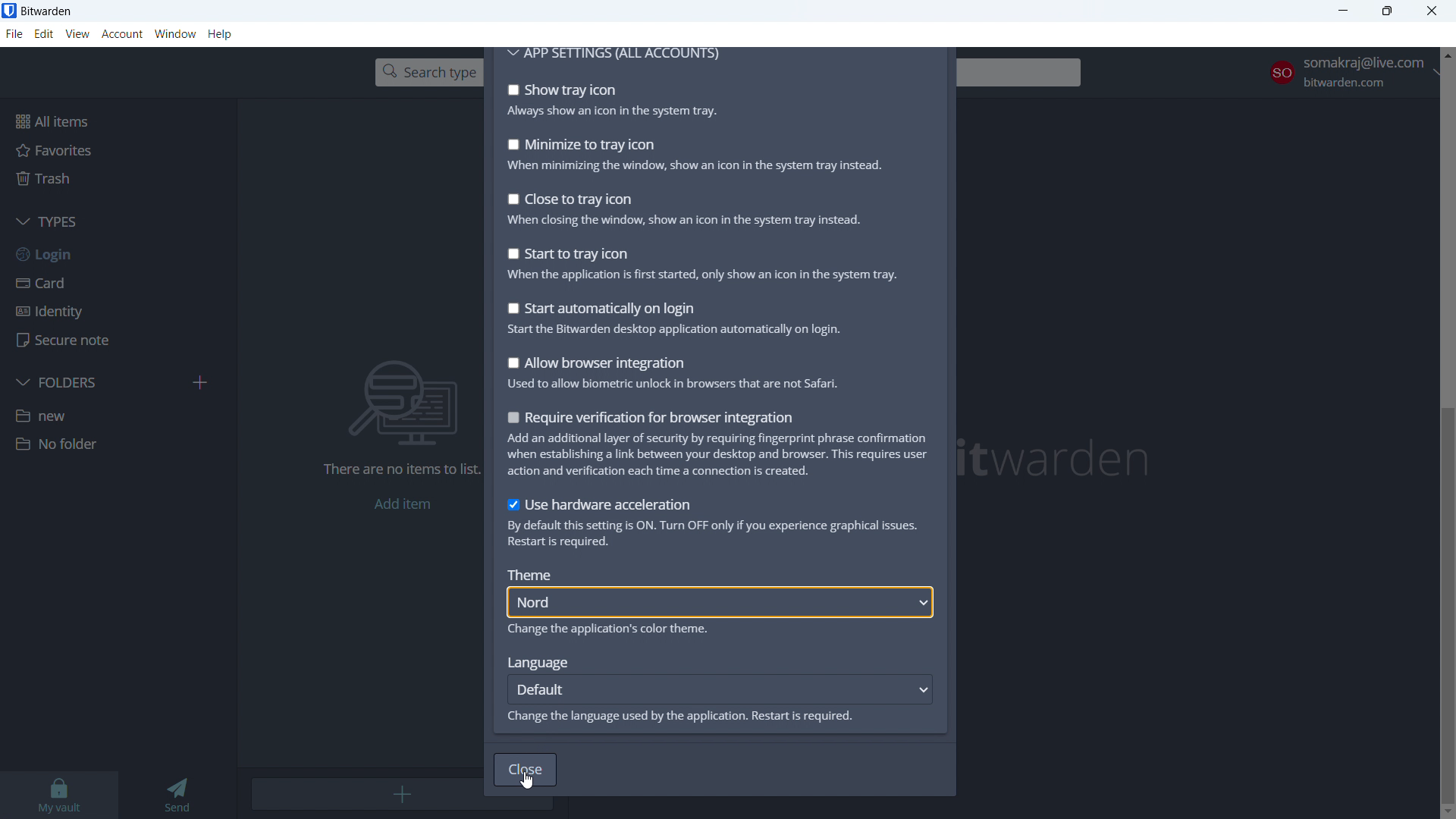  Describe the element at coordinates (627, 631) in the screenshot. I see `Change the application's color theme` at that location.